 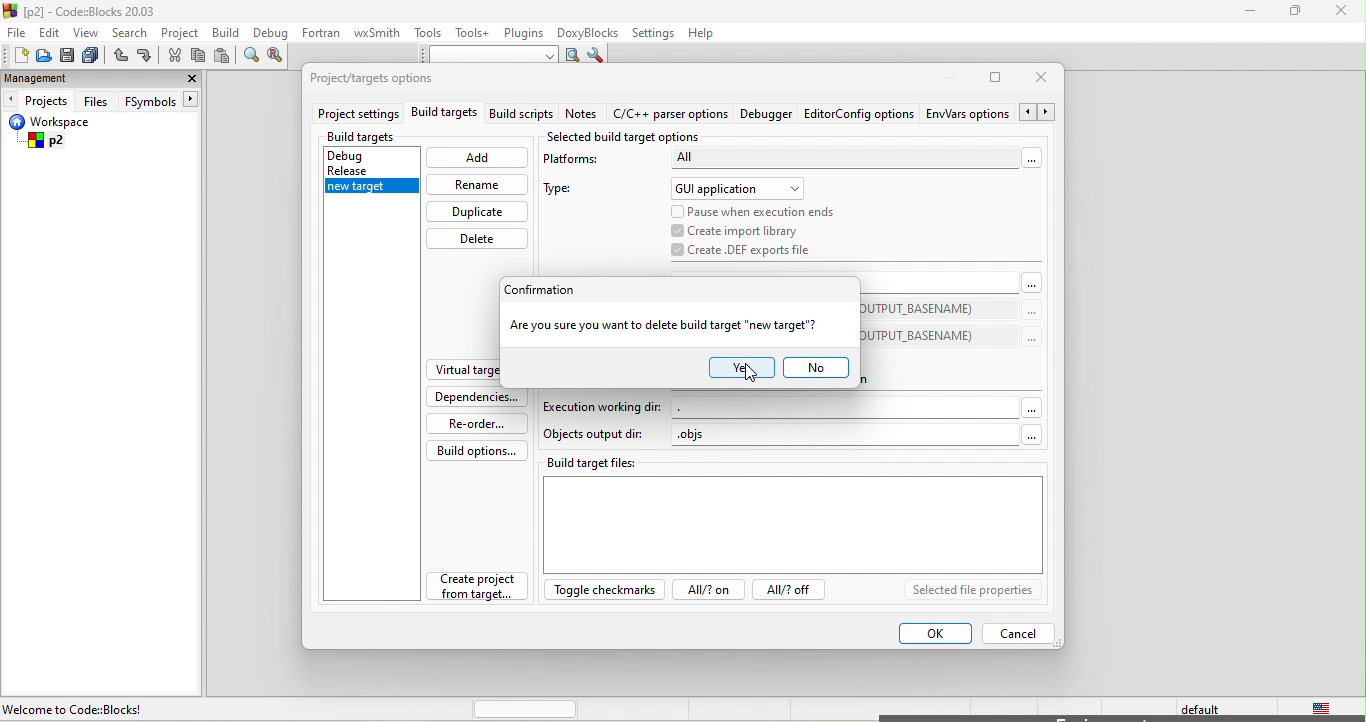 I want to click on note, so click(x=583, y=116).